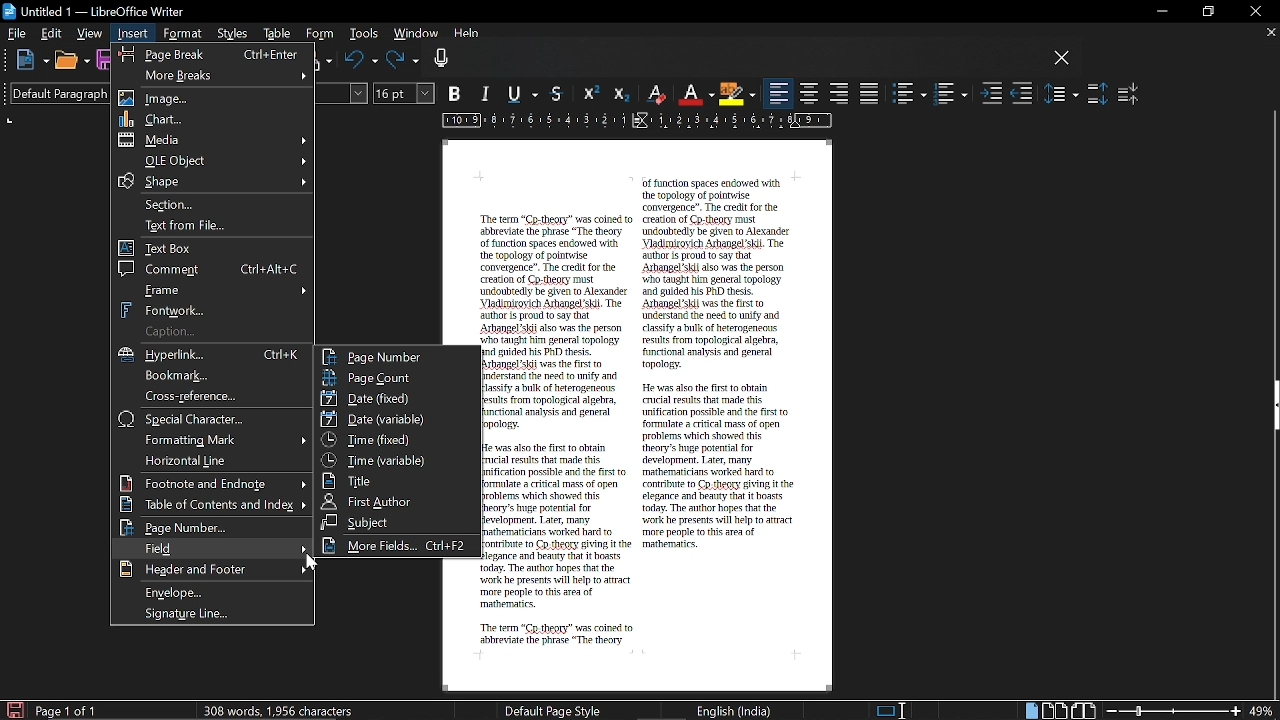 This screenshot has width=1280, height=720. Describe the element at coordinates (214, 248) in the screenshot. I see `Text box` at that location.